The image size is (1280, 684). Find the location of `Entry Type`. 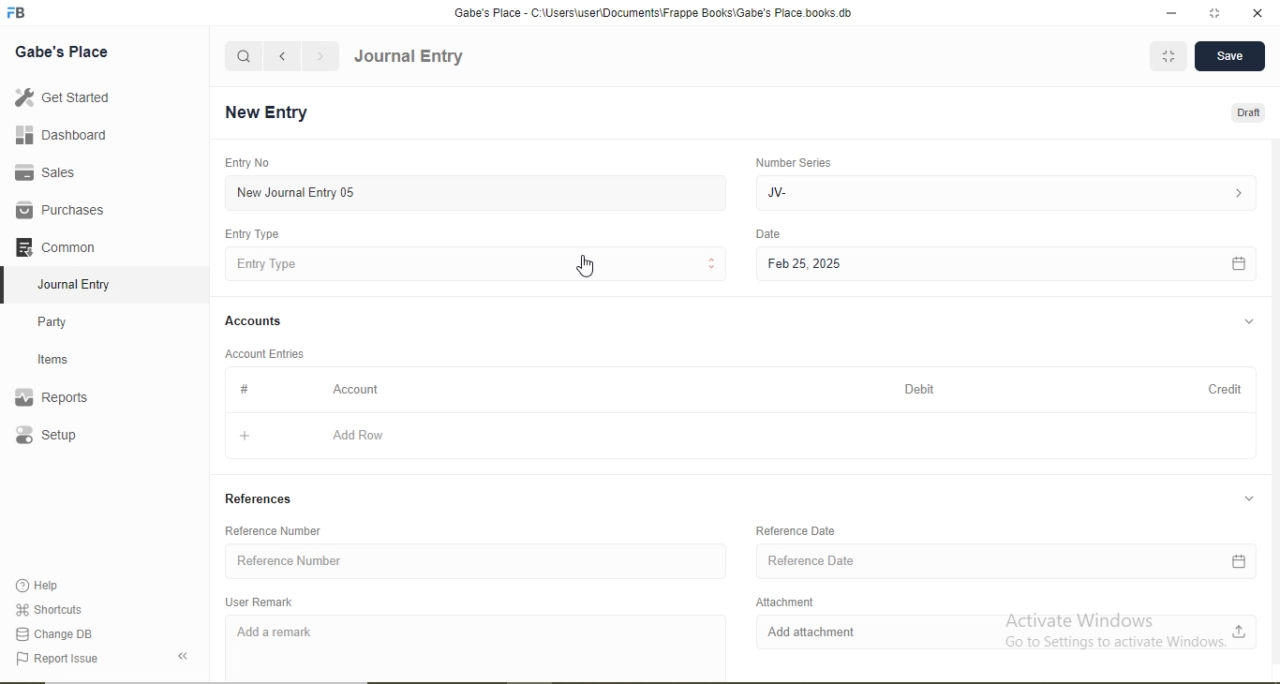

Entry Type is located at coordinates (478, 263).